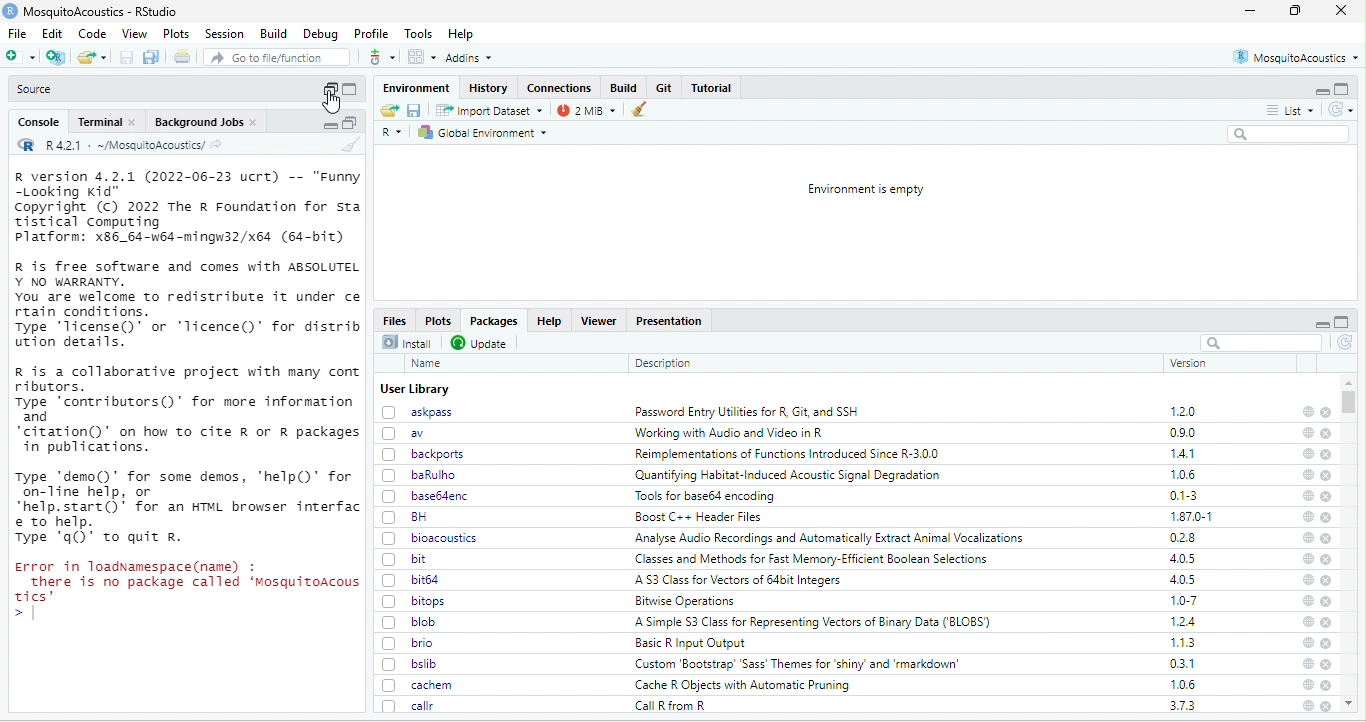 Image resolution: width=1366 pixels, height=722 pixels. I want to click on full screen, so click(352, 124).